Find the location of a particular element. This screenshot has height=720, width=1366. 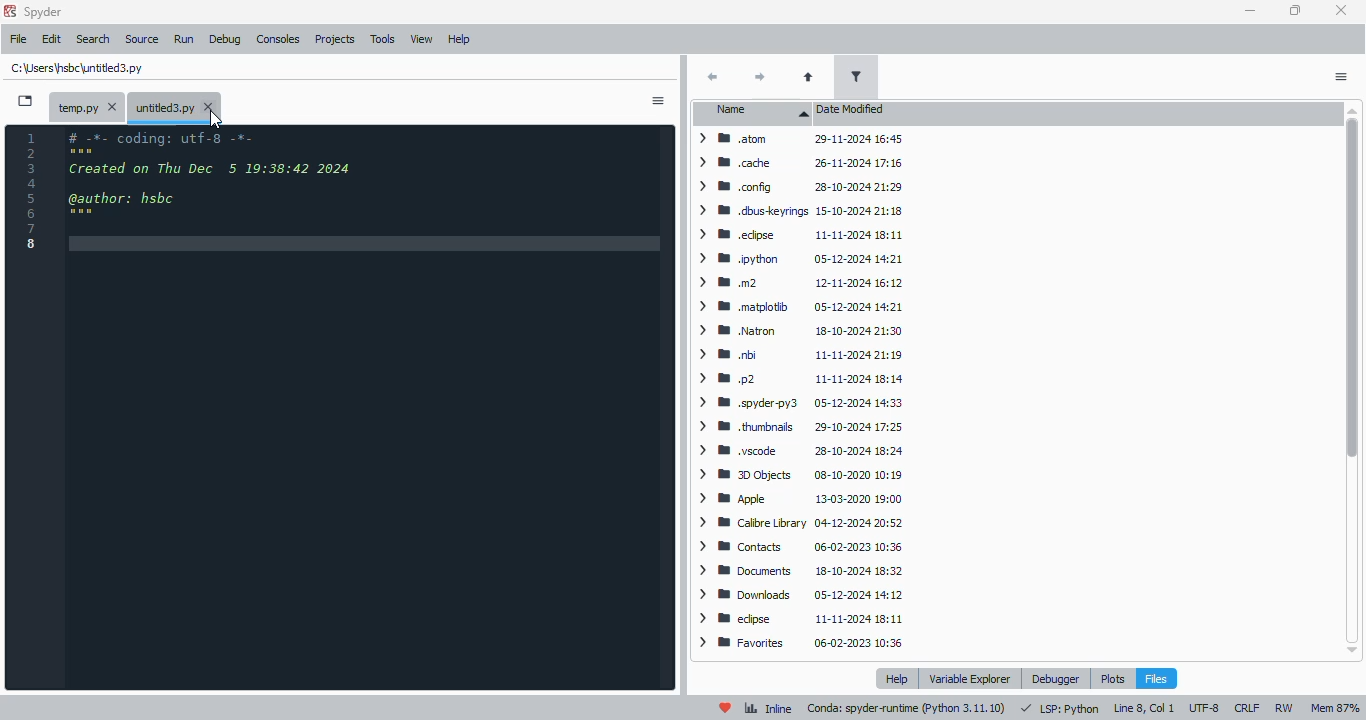

options is located at coordinates (658, 100).